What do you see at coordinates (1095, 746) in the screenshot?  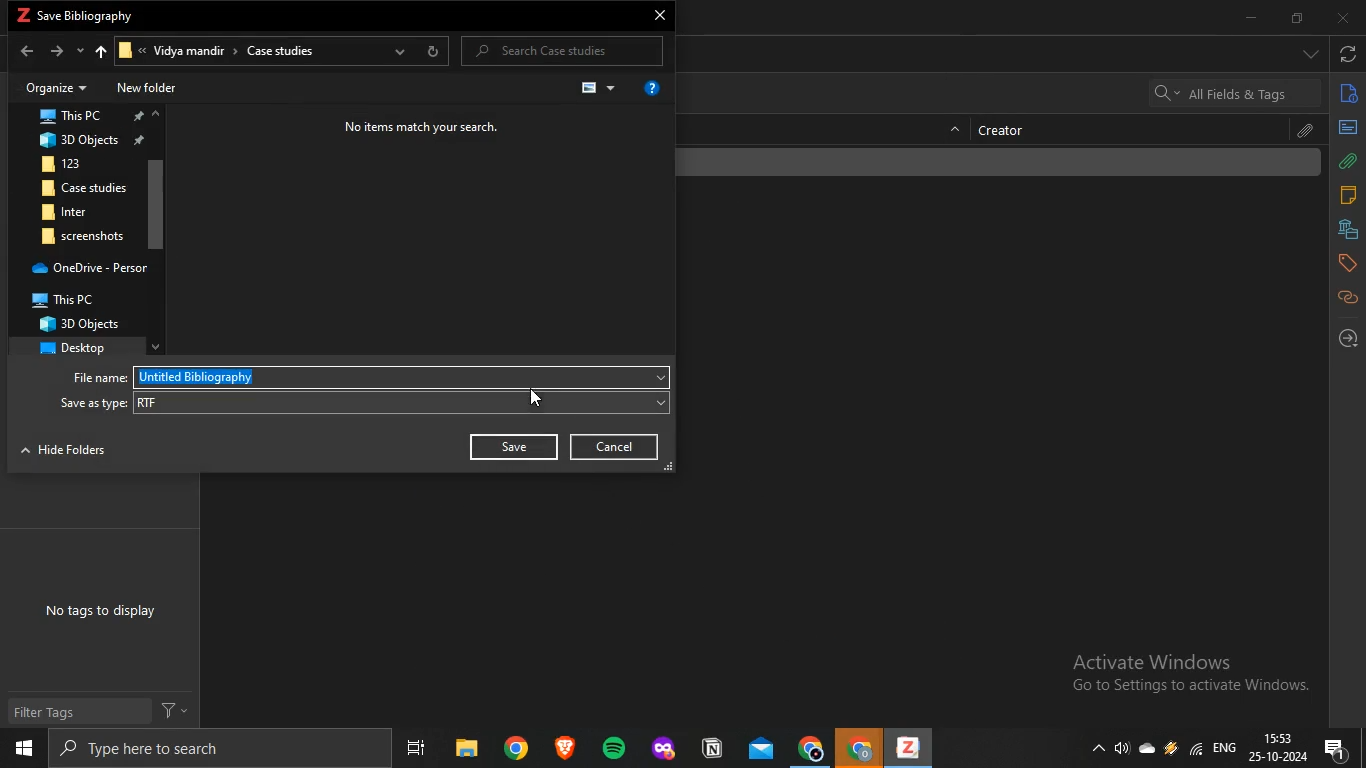 I see `show hidden icons` at bounding box center [1095, 746].